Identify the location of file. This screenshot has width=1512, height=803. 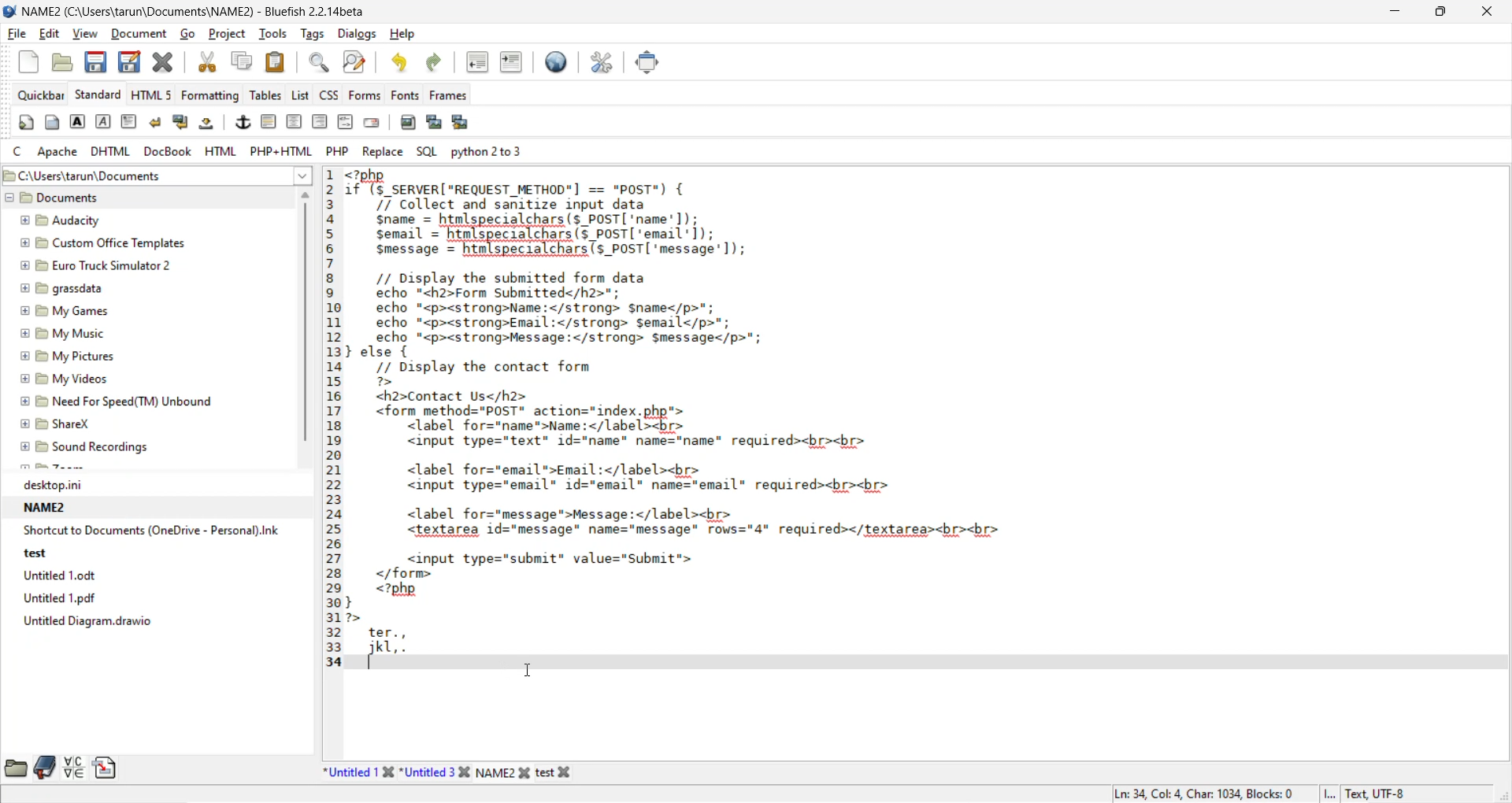
(17, 33).